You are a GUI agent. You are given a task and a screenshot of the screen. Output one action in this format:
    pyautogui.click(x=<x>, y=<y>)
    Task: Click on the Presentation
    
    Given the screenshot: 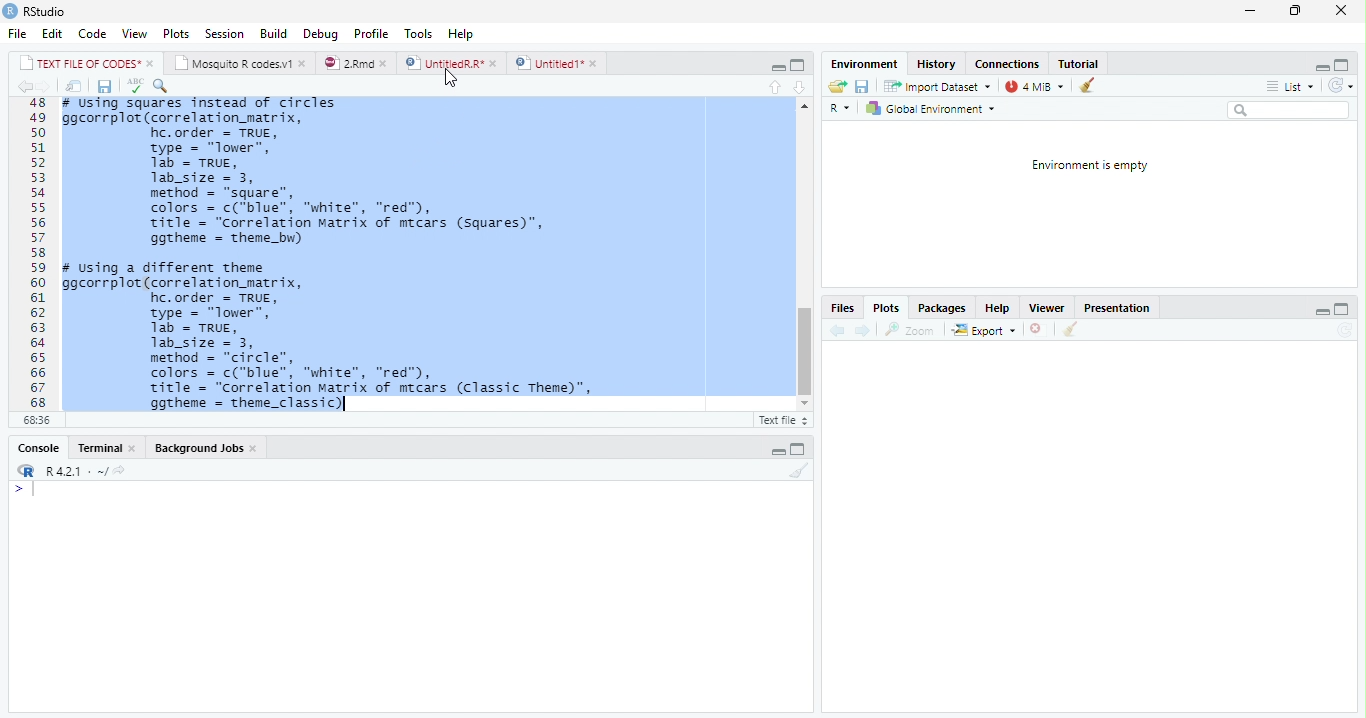 What is the action you would take?
    pyautogui.click(x=1121, y=308)
    